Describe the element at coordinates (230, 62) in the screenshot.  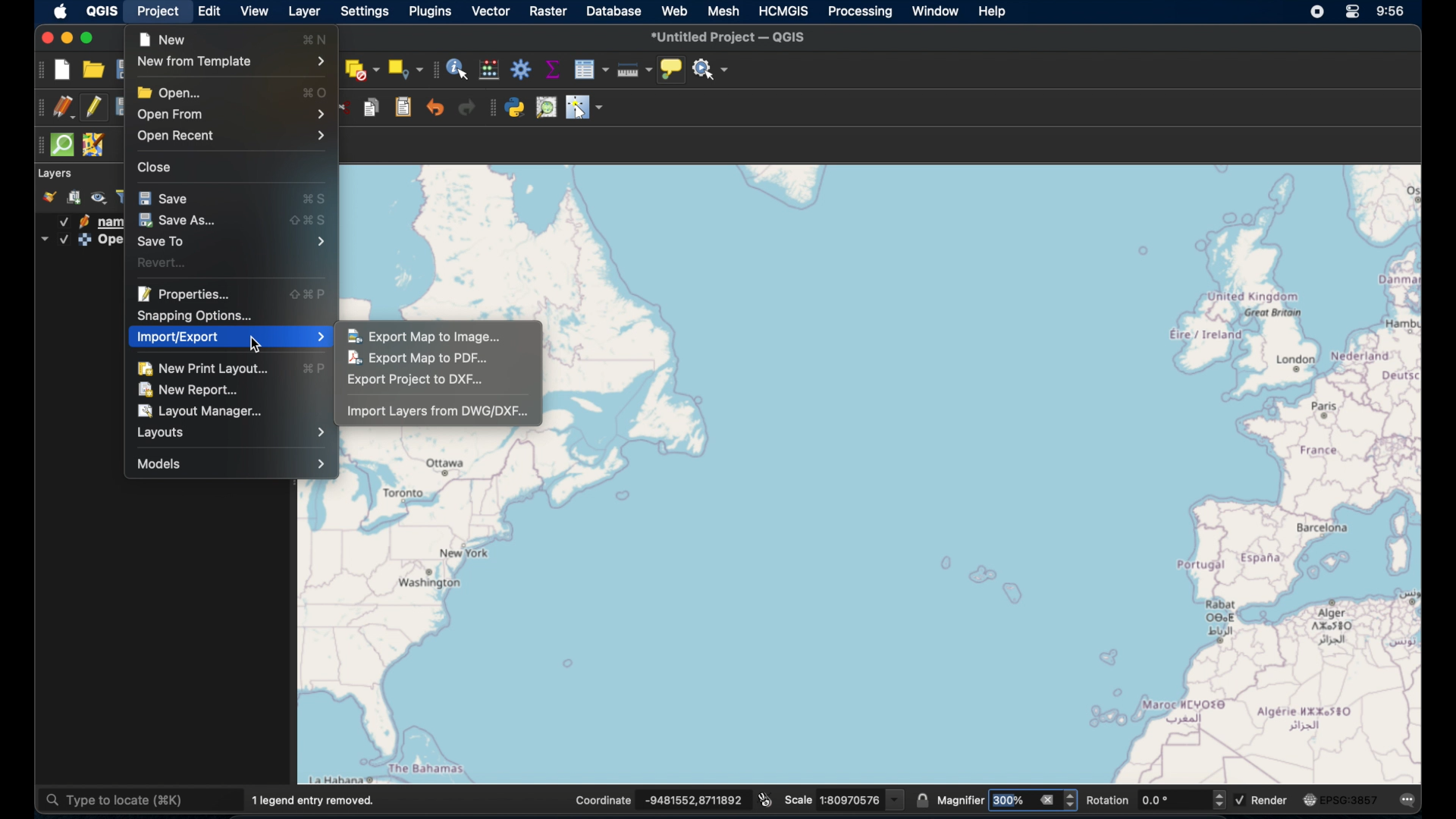
I see `new from template menu` at that location.